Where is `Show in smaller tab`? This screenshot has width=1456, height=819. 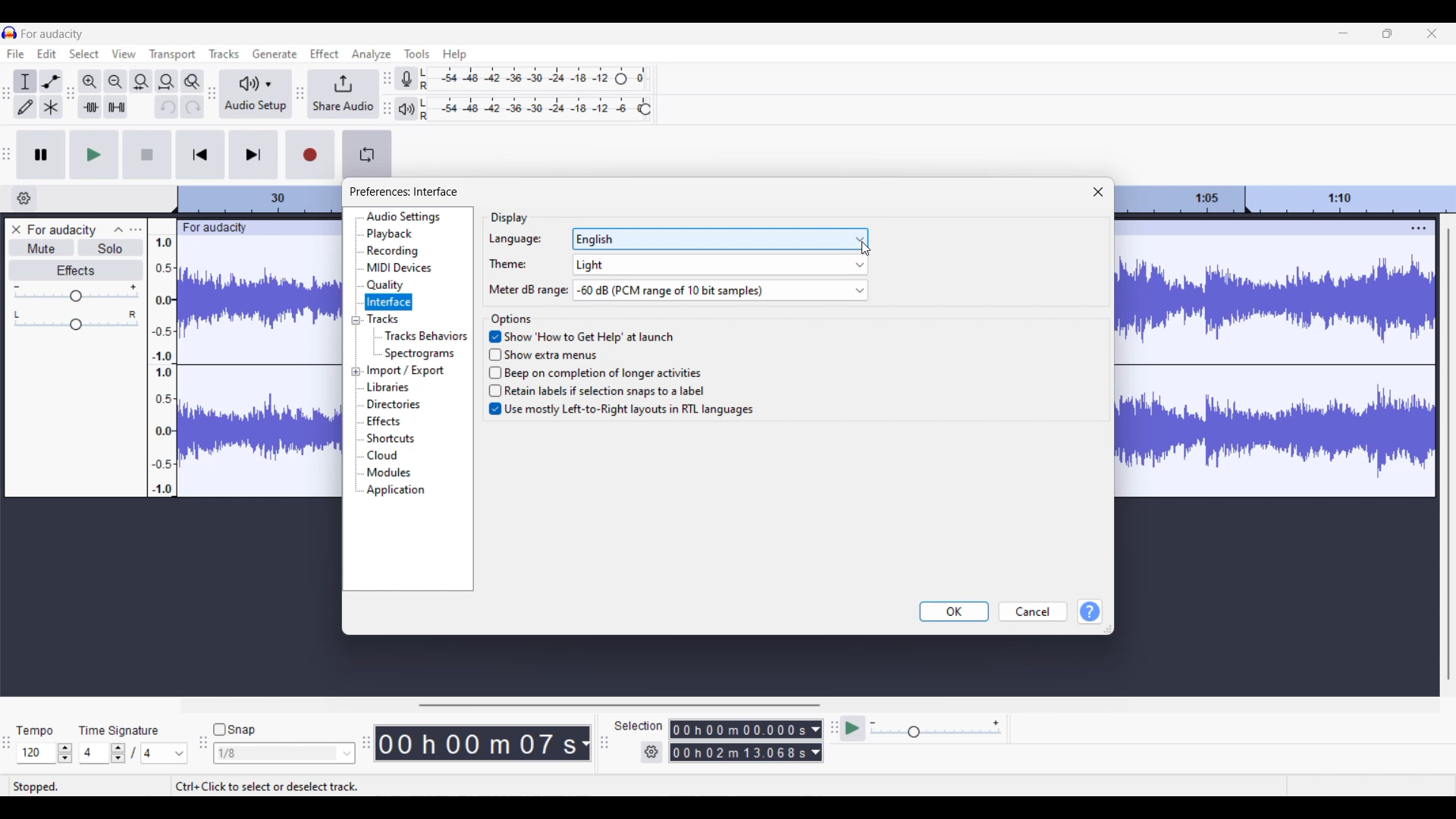
Show in smaller tab is located at coordinates (1387, 33).